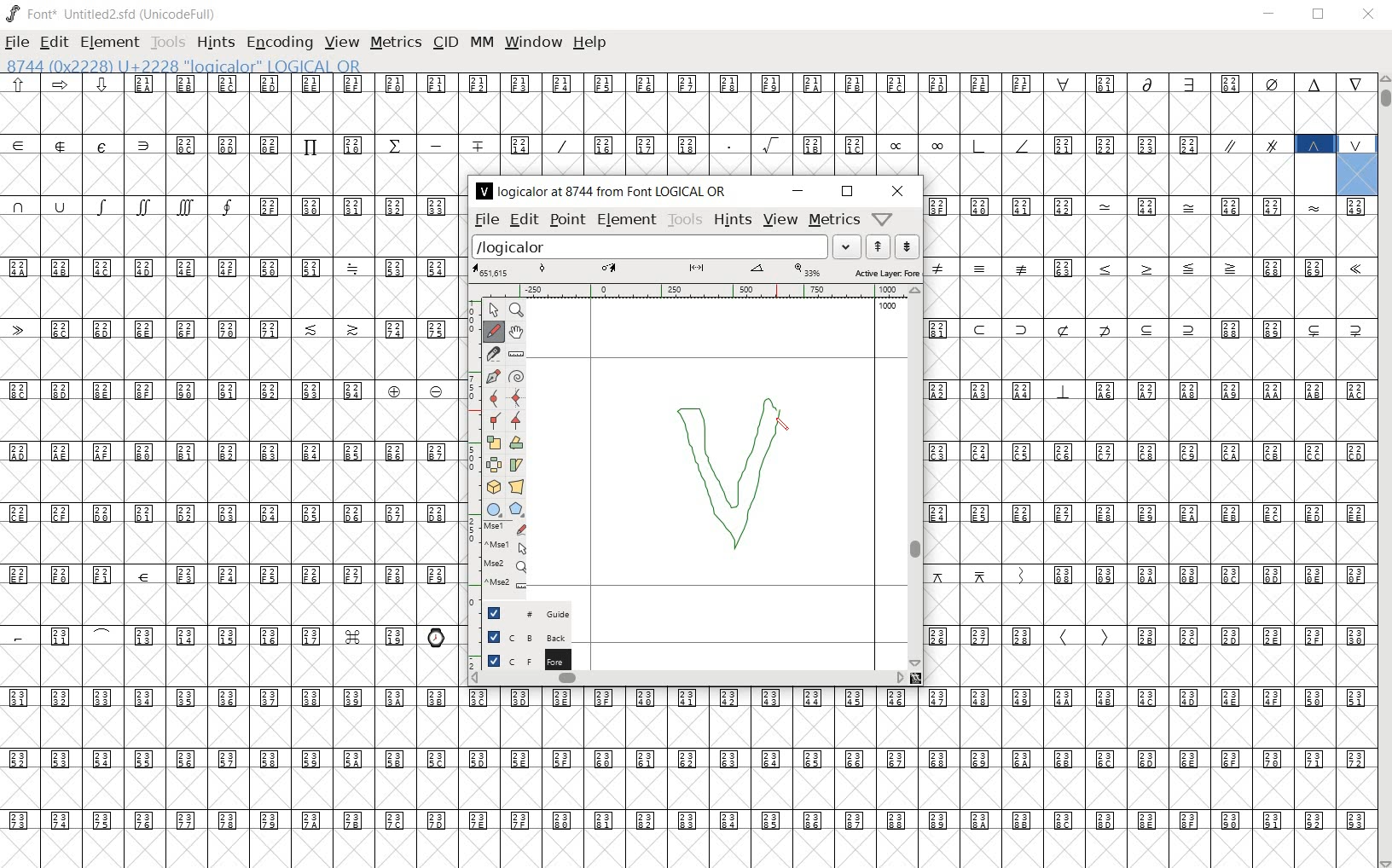 The image size is (1392, 868). What do you see at coordinates (878, 246) in the screenshot?
I see `show the next word on the list` at bounding box center [878, 246].